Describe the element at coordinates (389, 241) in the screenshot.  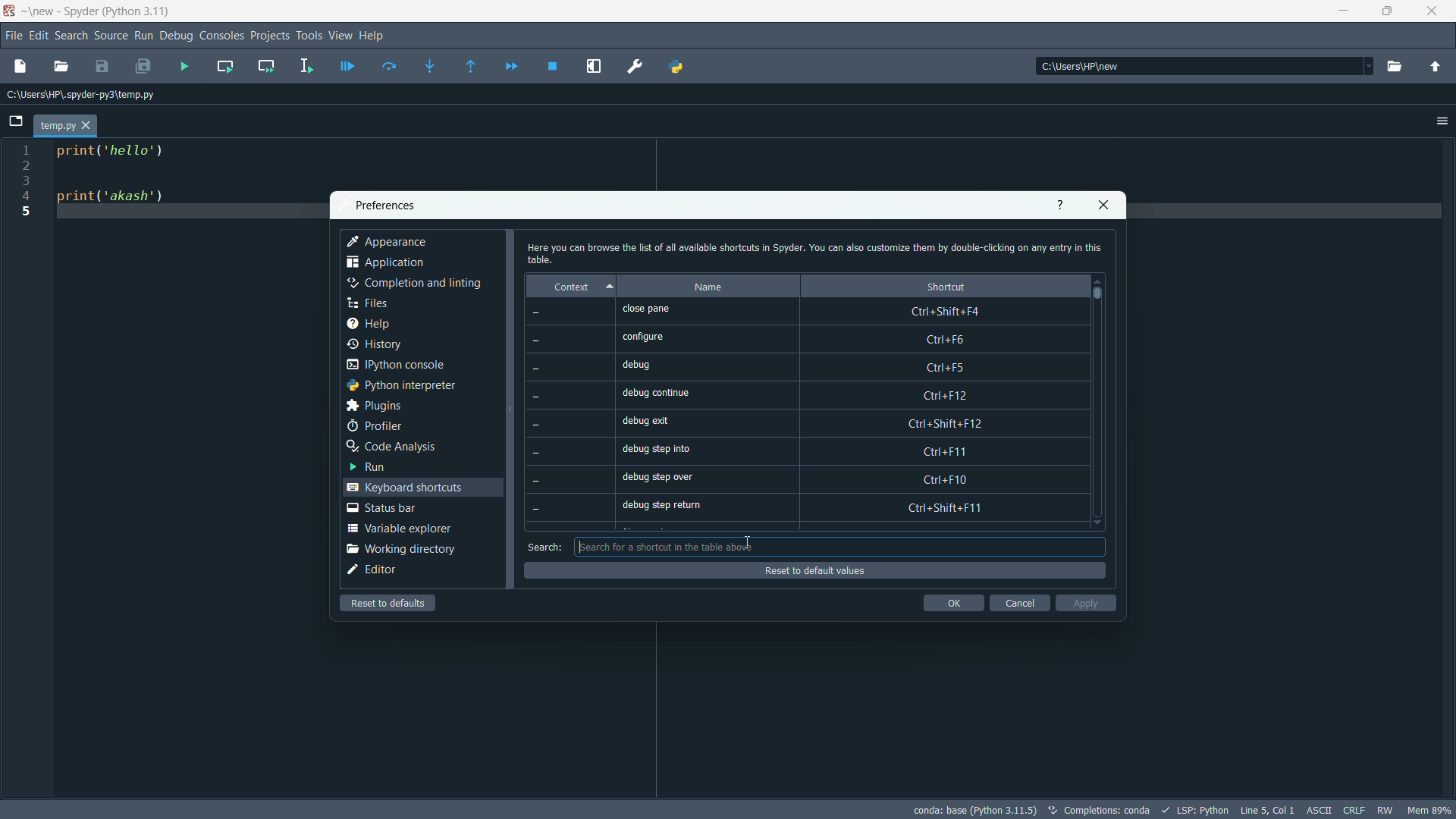
I see `appearance` at that location.